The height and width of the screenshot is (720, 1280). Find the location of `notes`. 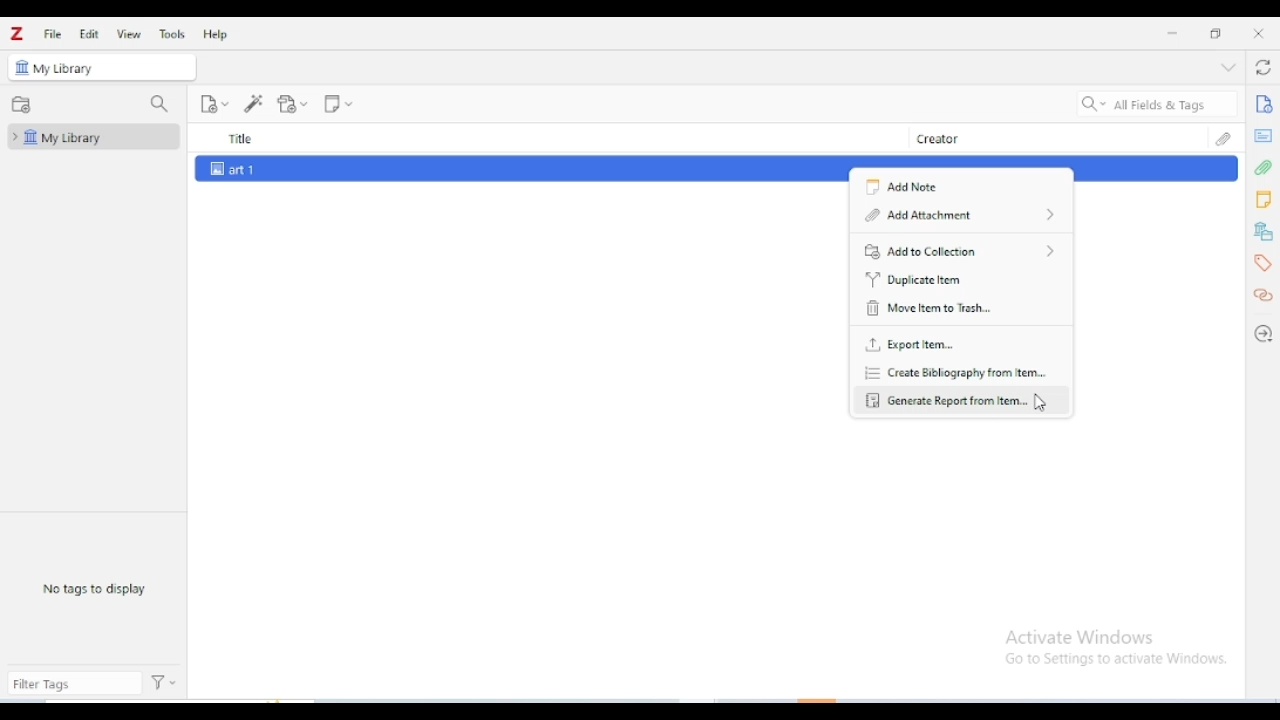

notes is located at coordinates (1263, 200).